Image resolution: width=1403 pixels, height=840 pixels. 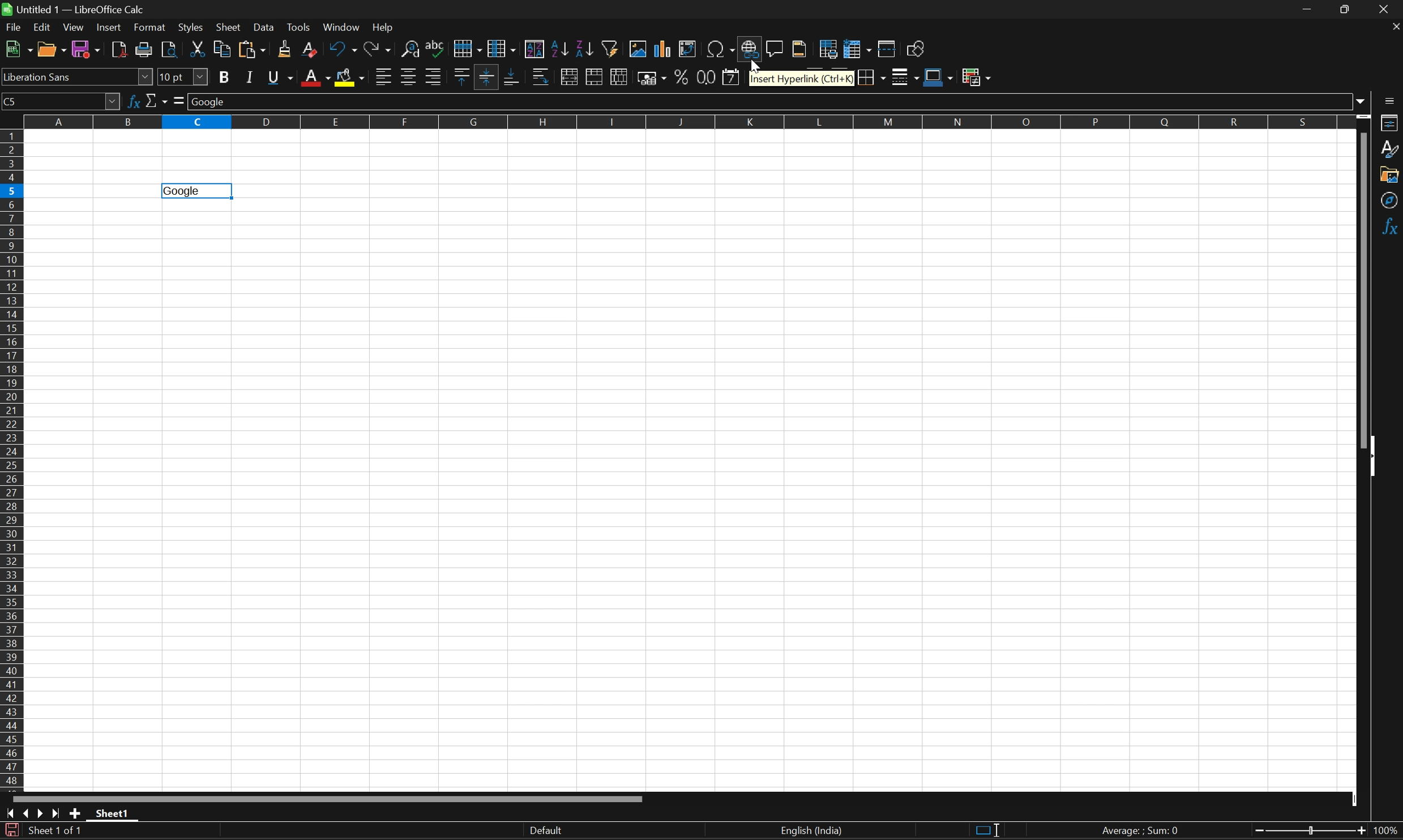 What do you see at coordinates (251, 50) in the screenshot?
I see `Paste` at bounding box center [251, 50].